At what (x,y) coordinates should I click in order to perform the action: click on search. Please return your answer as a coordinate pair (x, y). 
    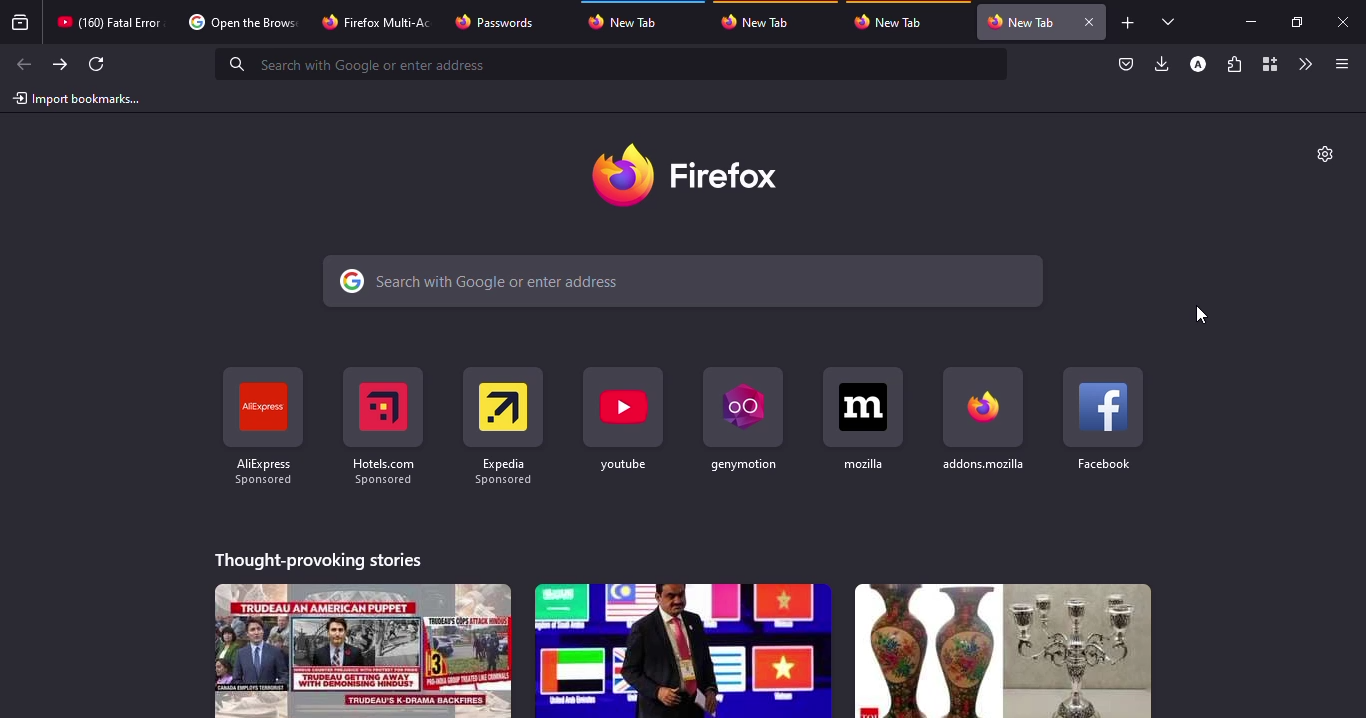
    Looking at the image, I should click on (357, 64).